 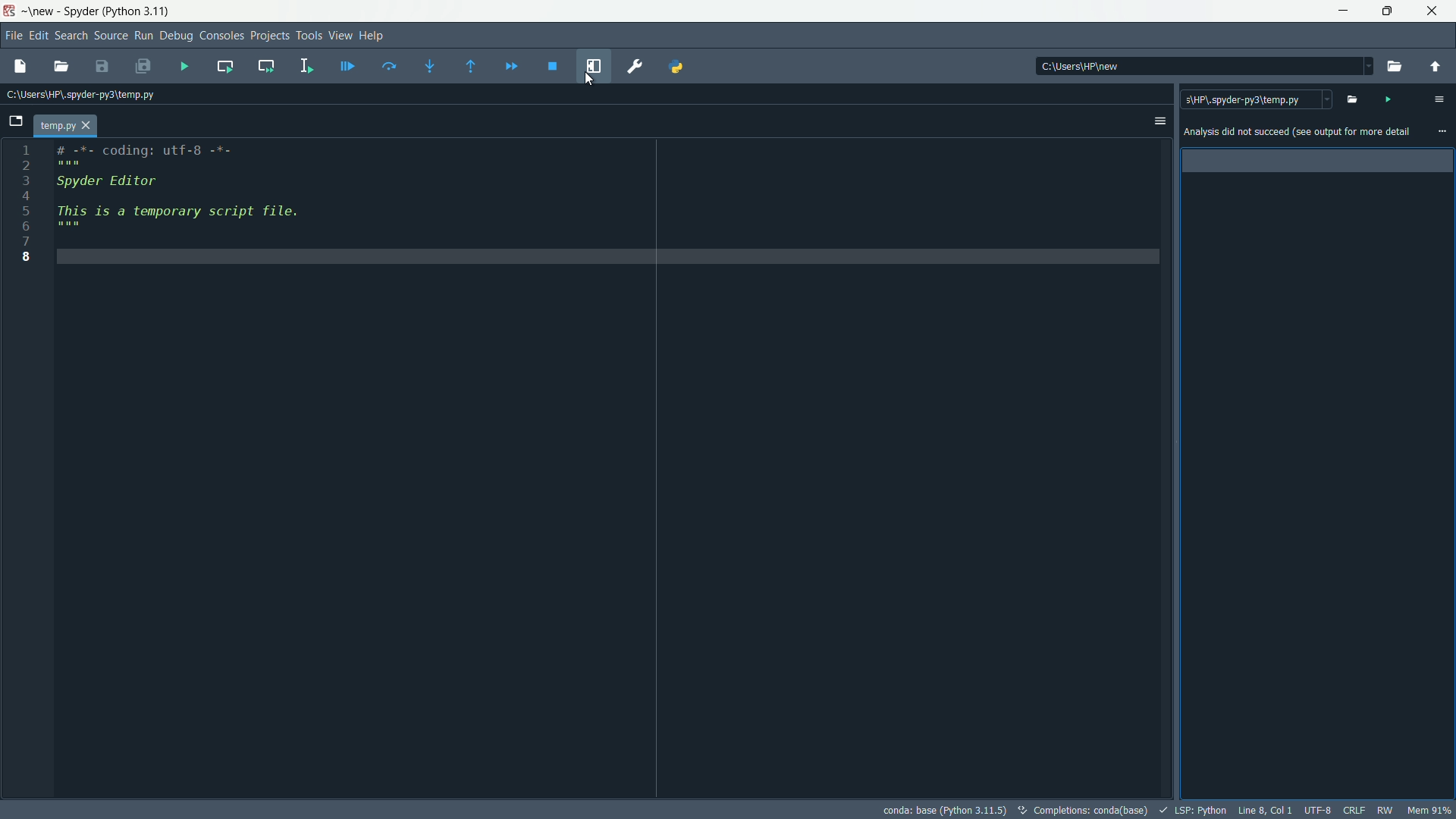 I want to click on preferences, so click(x=635, y=67).